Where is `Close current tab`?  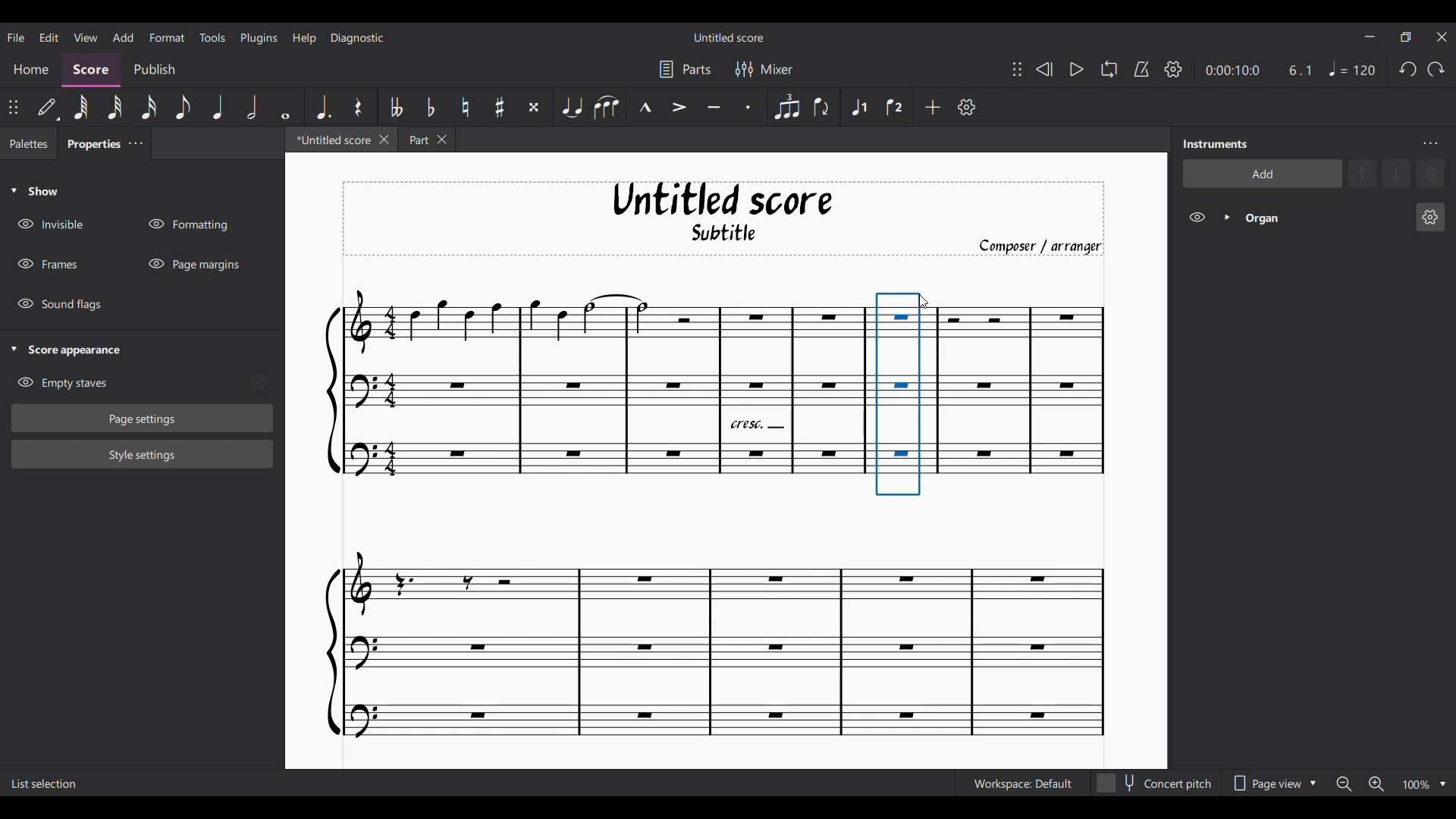
Close current tab is located at coordinates (384, 139).